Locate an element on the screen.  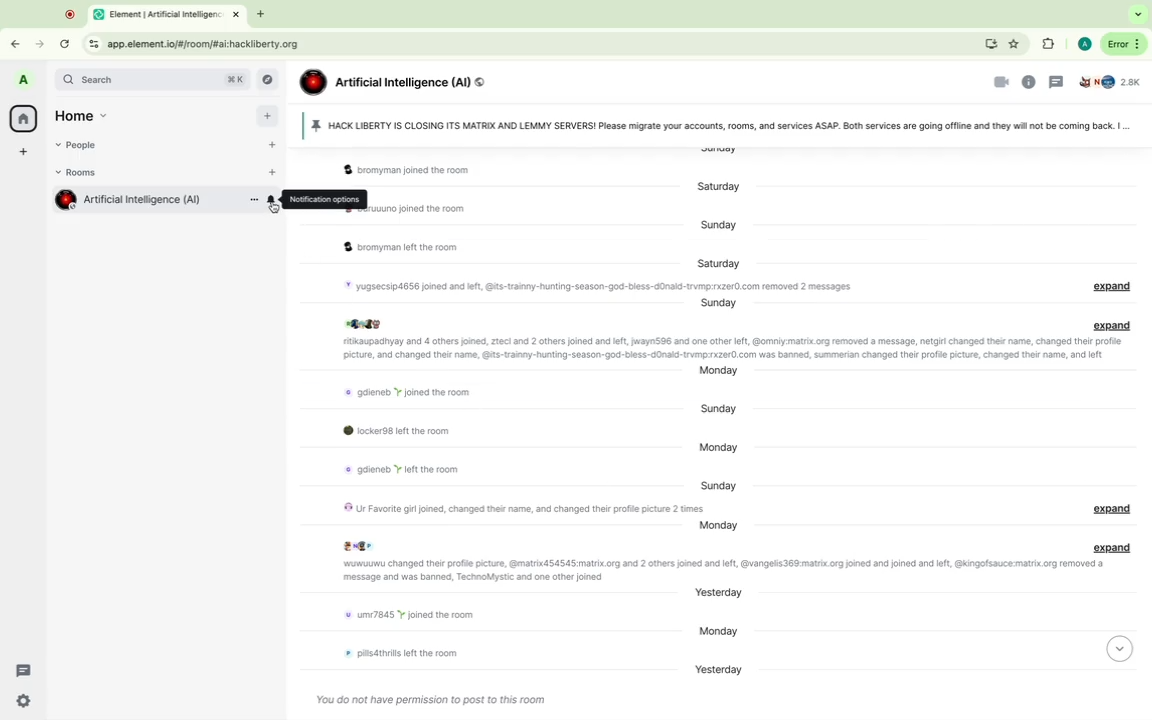
Threads is located at coordinates (1056, 82).